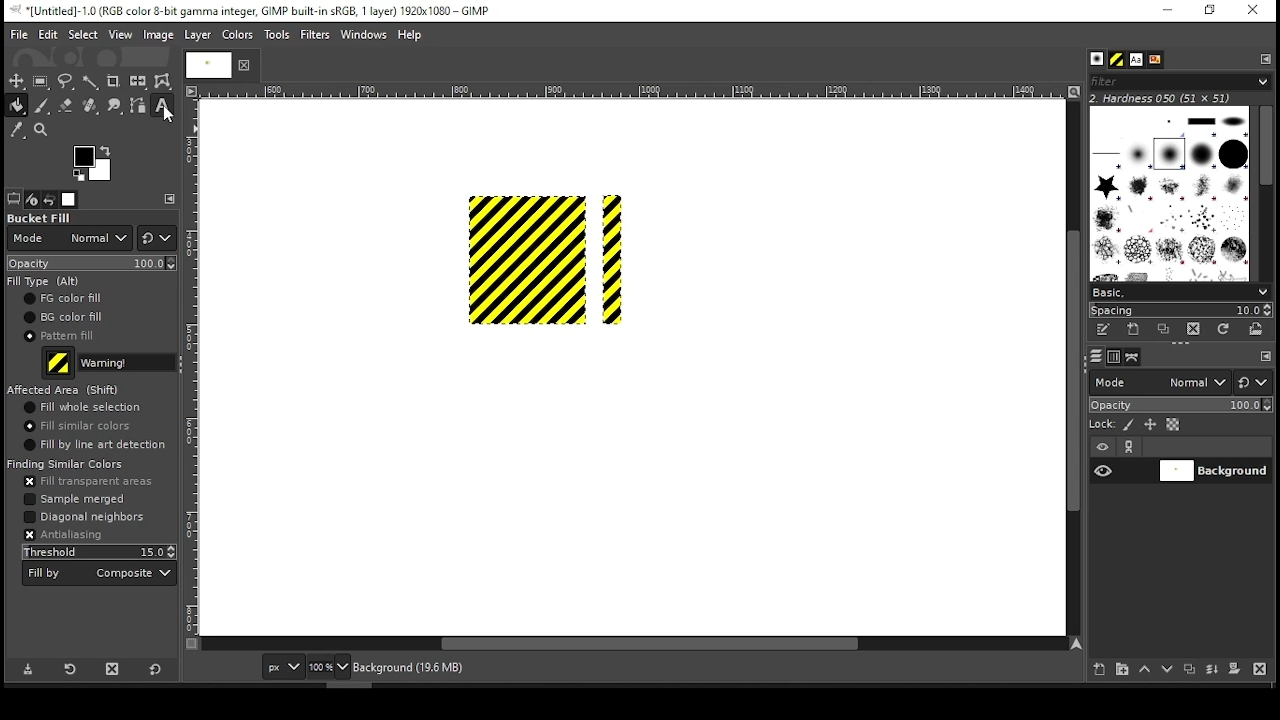  Describe the element at coordinates (72, 667) in the screenshot. I see `restore tool preset` at that location.